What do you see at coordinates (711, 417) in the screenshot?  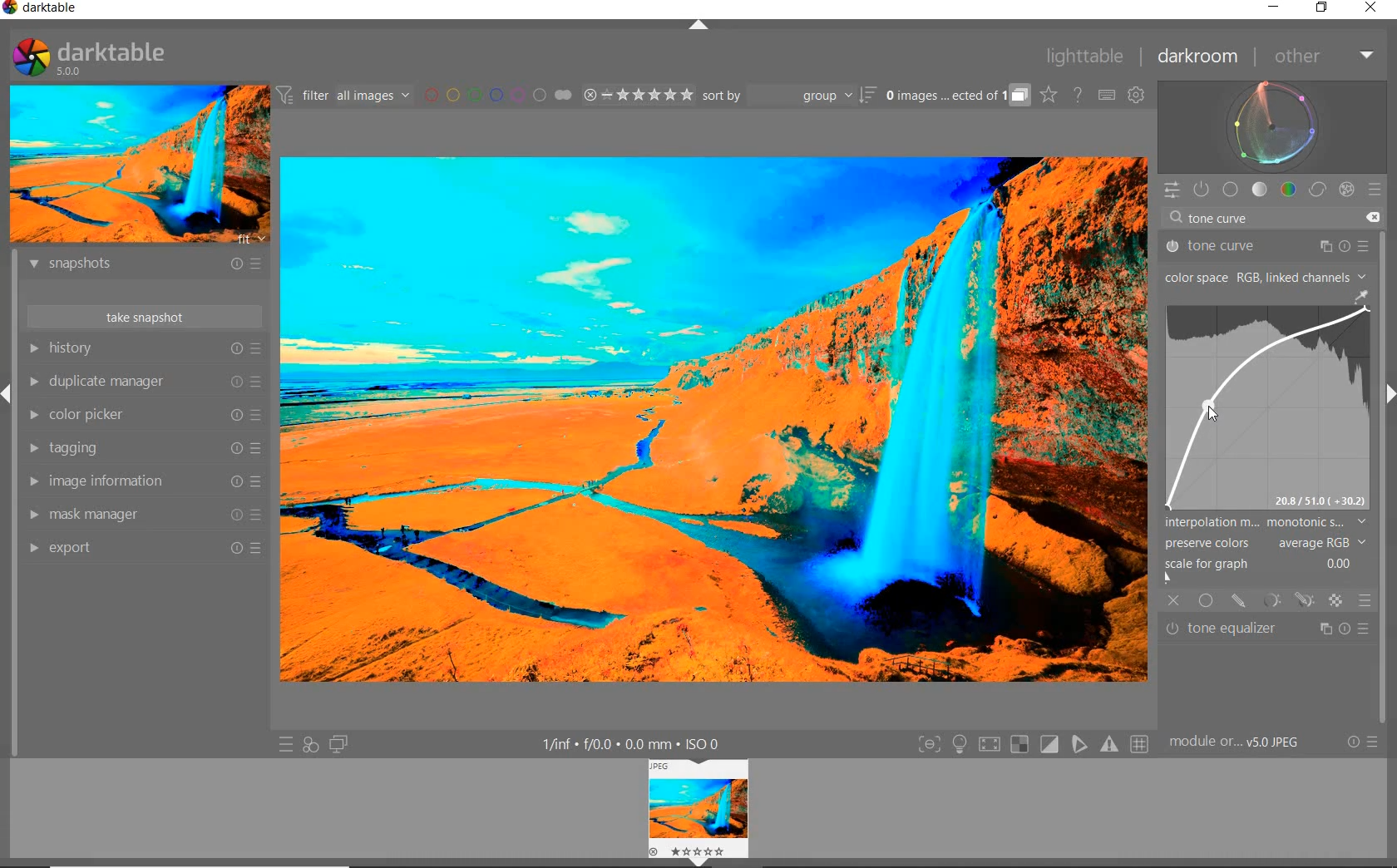 I see `SELECTED IMAGE` at bounding box center [711, 417].